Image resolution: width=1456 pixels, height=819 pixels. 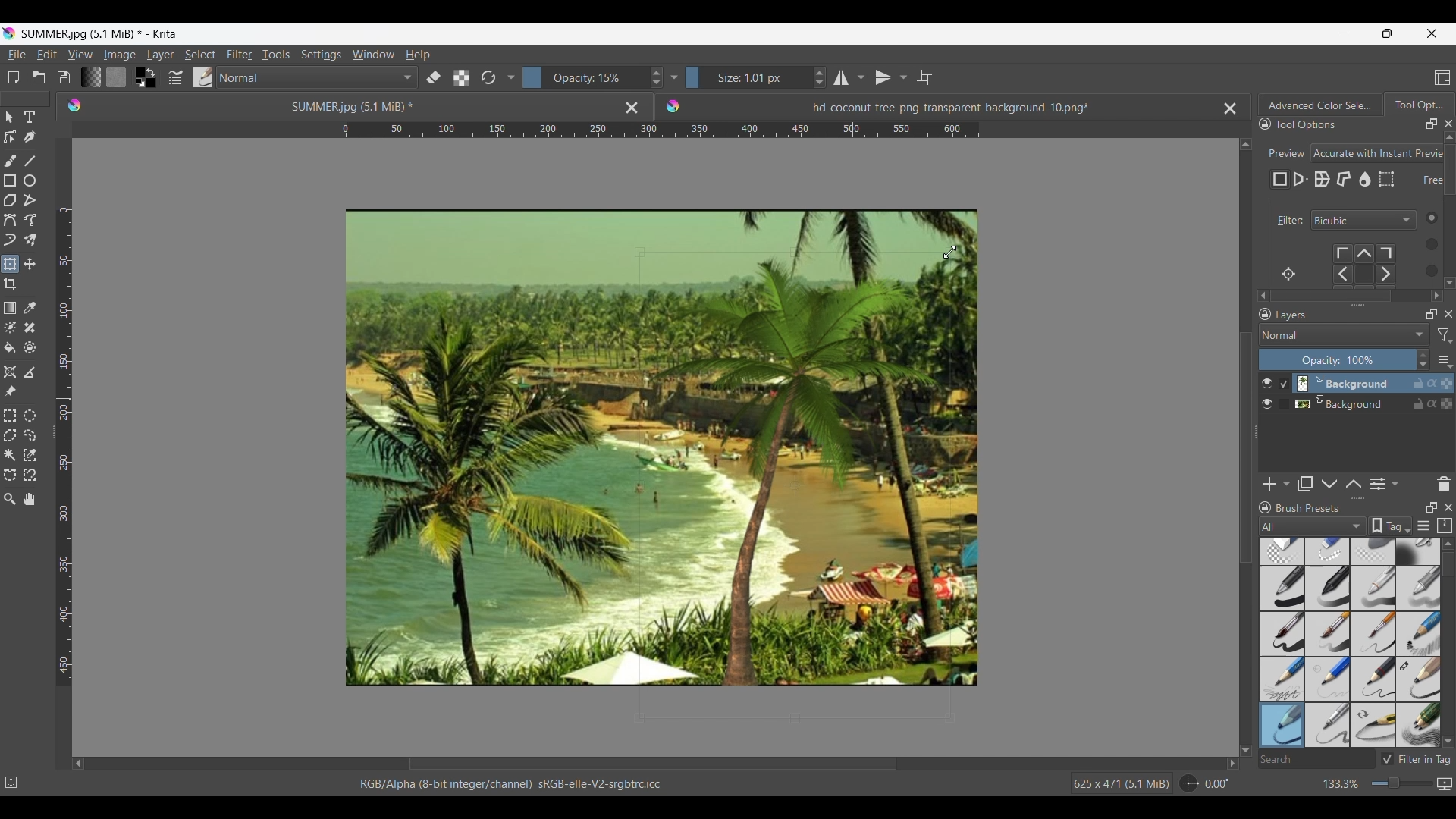 What do you see at coordinates (1329, 724) in the screenshot?
I see `pencil 5-tilted` at bounding box center [1329, 724].